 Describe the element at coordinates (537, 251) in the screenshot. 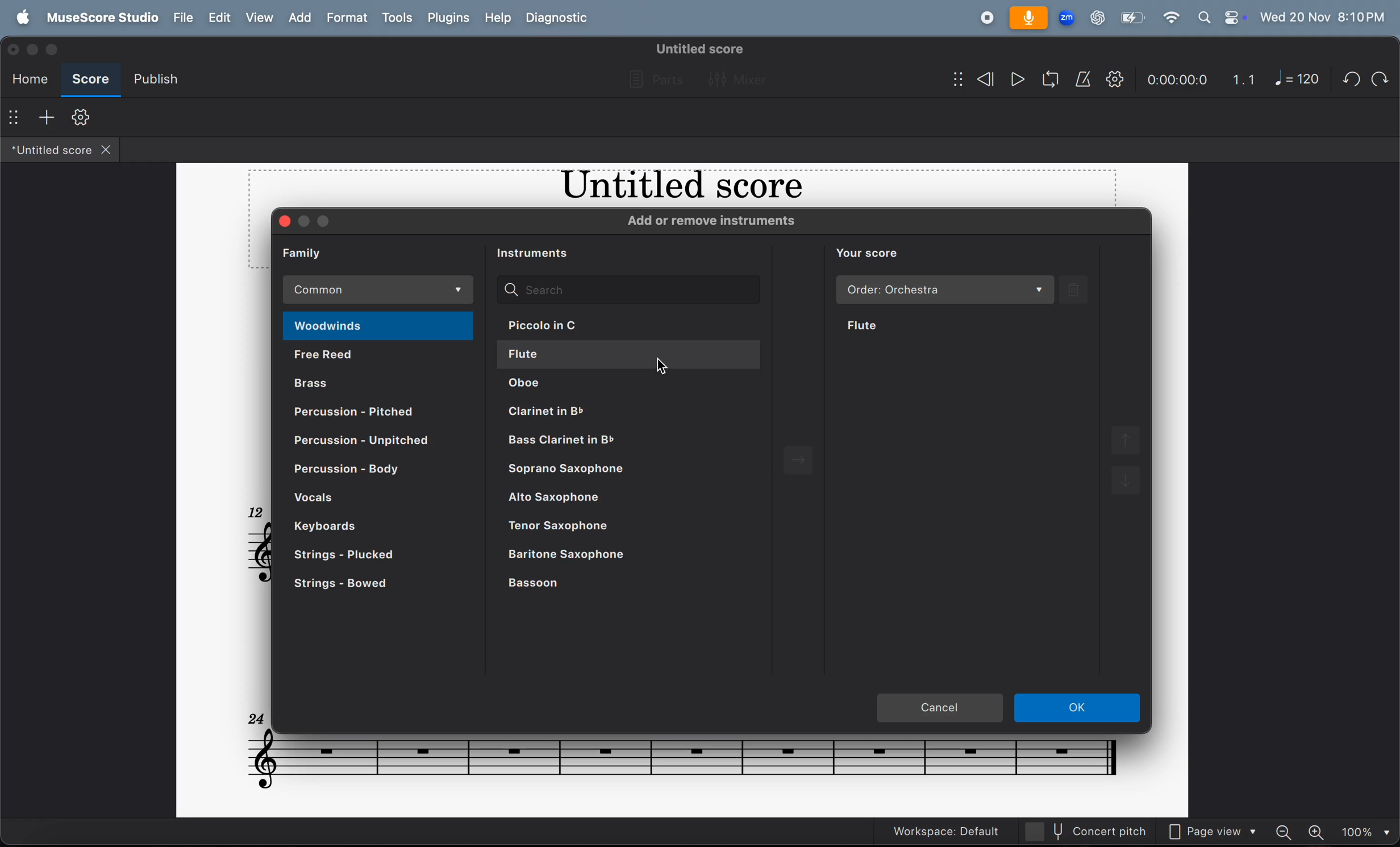

I see `instruments` at that location.